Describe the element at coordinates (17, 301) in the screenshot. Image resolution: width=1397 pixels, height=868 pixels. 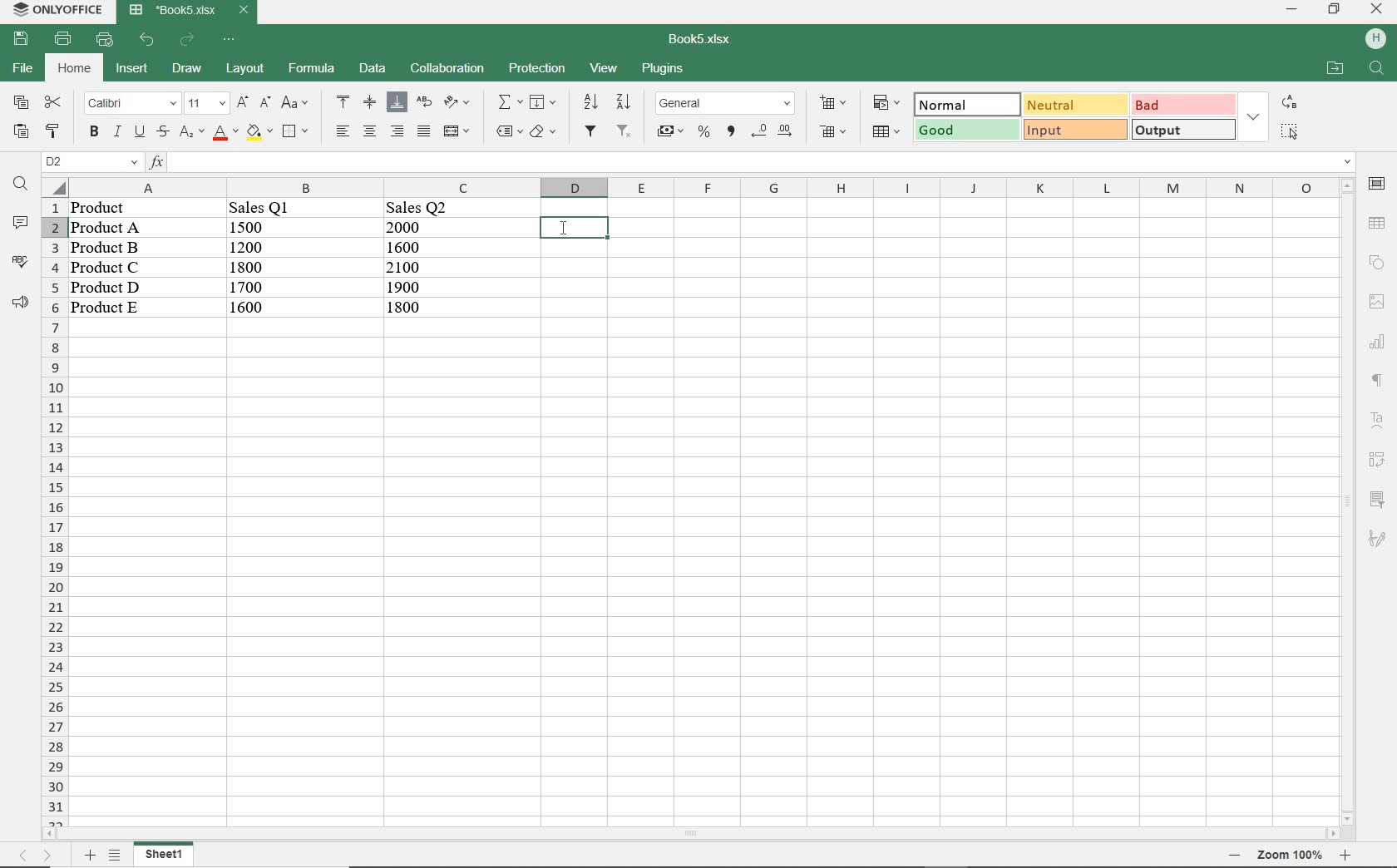
I see `support & feedback` at that location.